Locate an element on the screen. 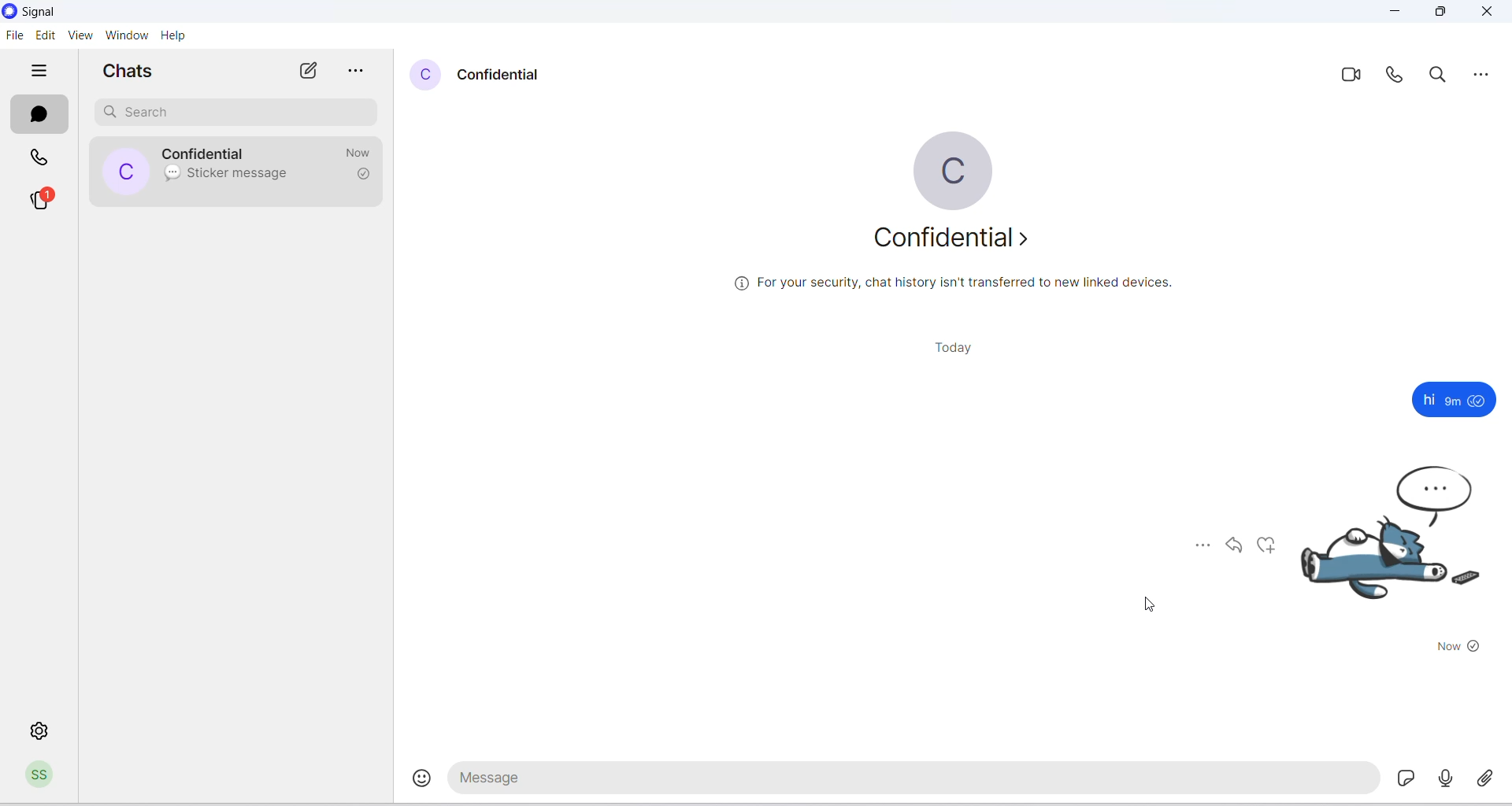 The width and height of the screenshot is (1512, 806). file is located at coordinates (14, 39).